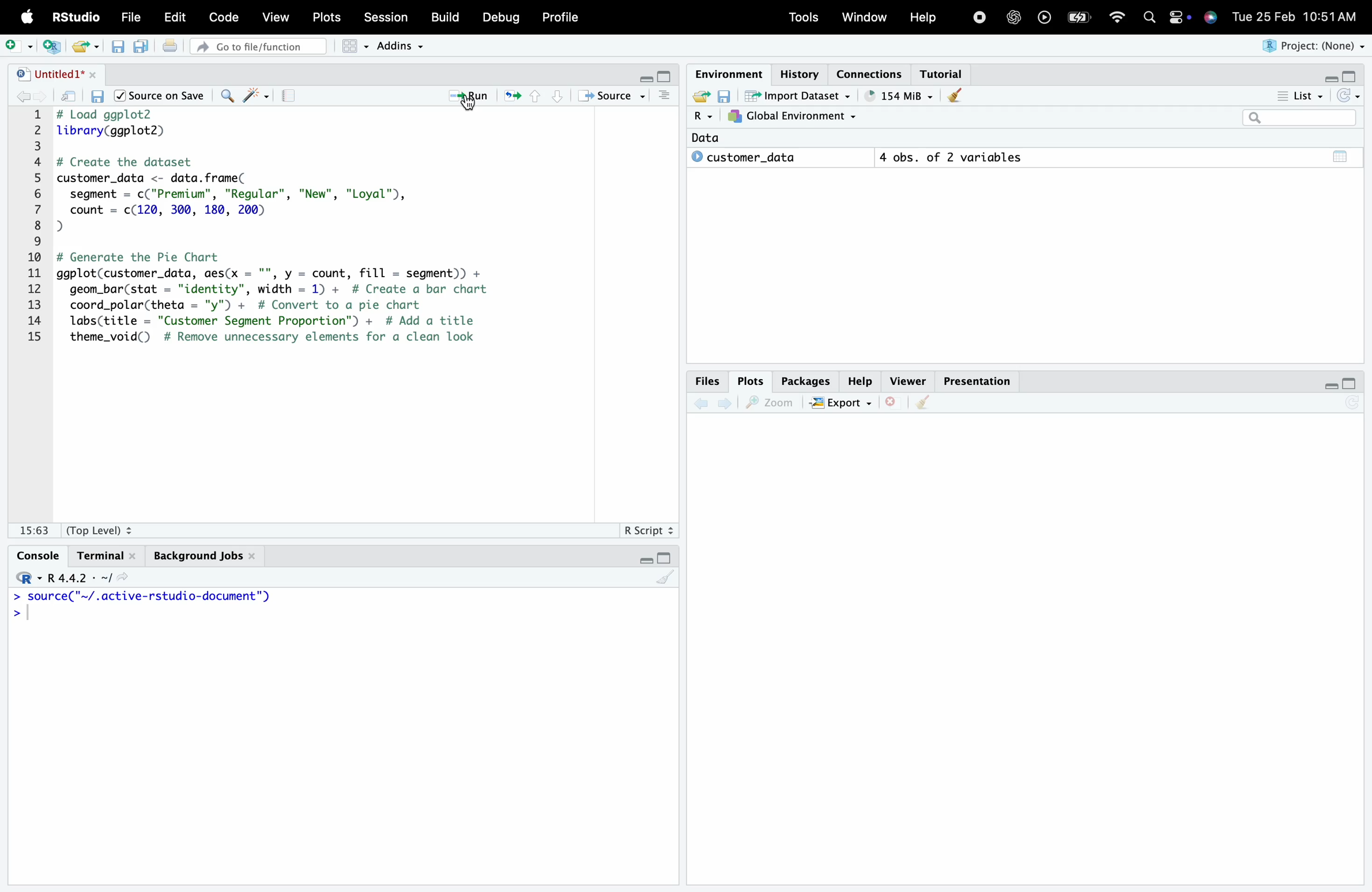 Image resolution: width=1372 pixels, height=892 pixels. I want to click on save script, so click(120, 52).